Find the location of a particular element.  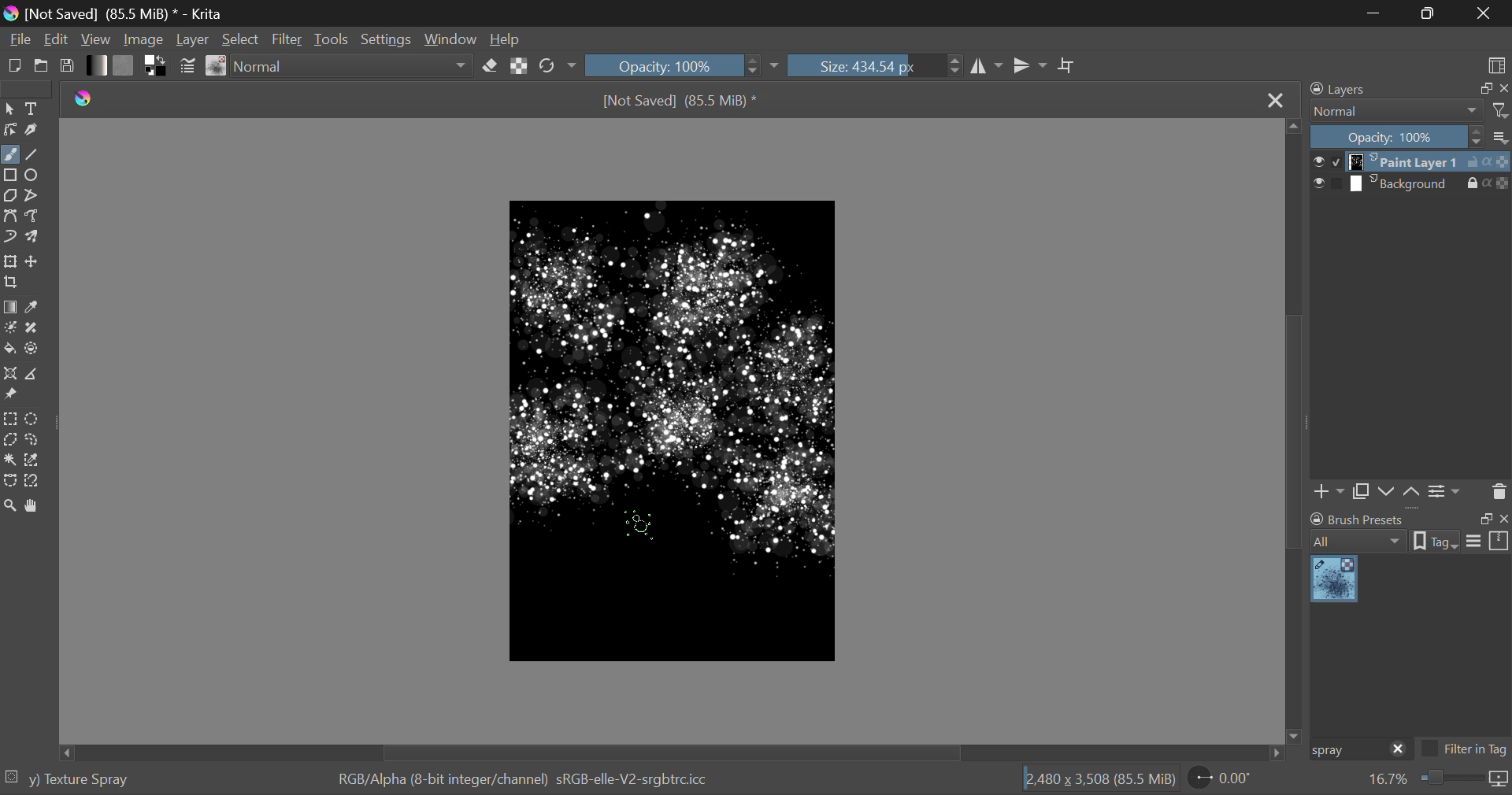

New is located at coordinates (14, 65).